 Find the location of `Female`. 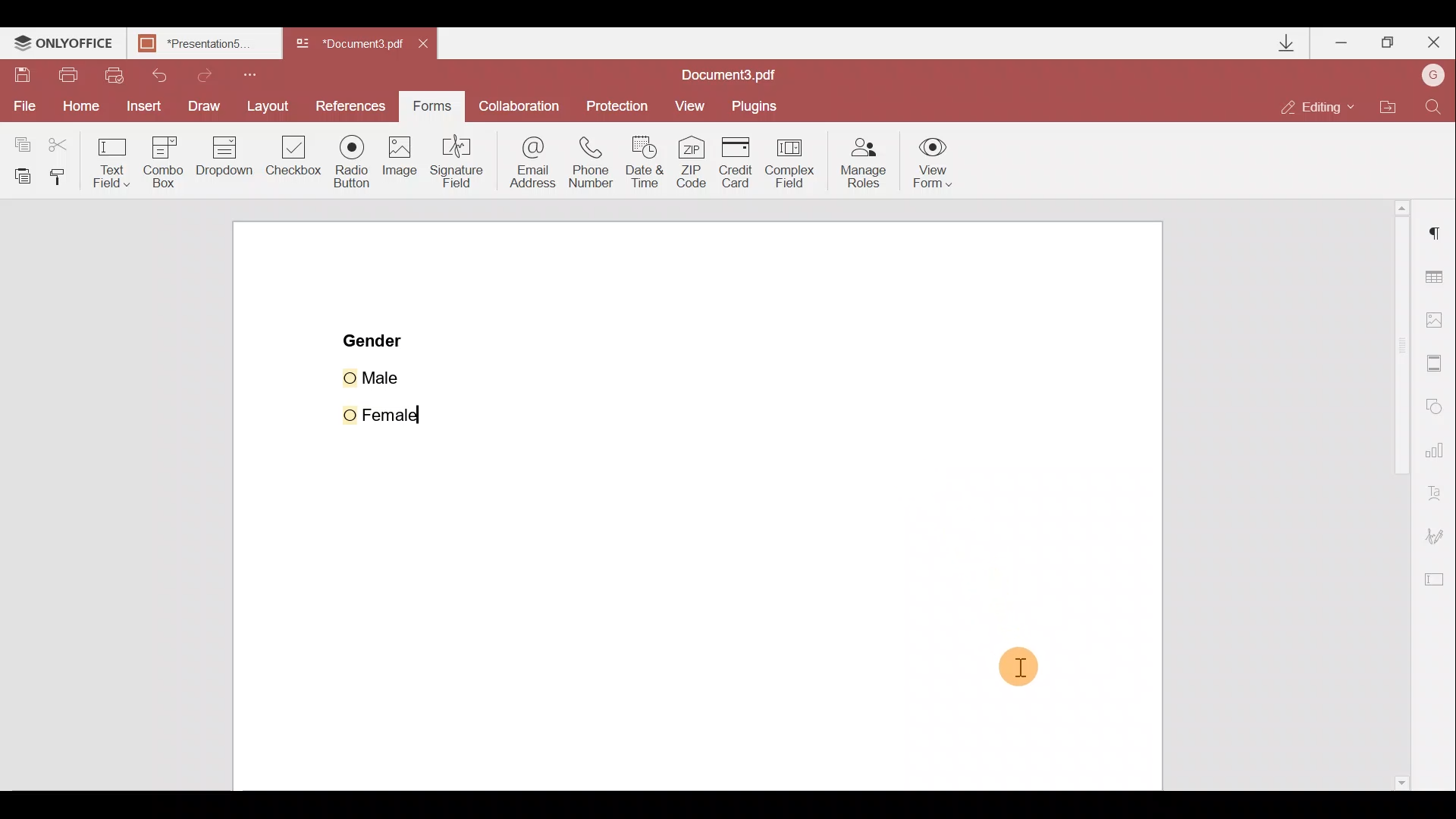

Female is located at coordinates (390, 411).